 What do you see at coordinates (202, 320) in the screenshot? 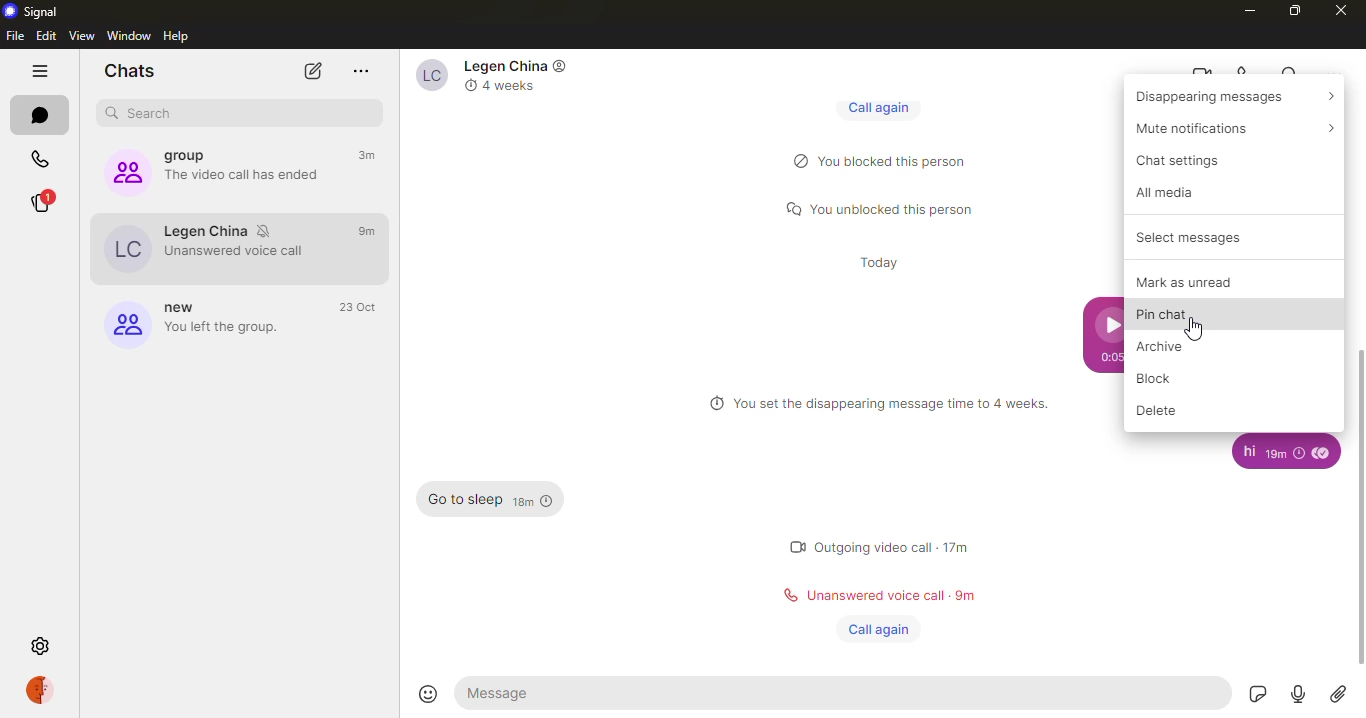
I see `group` at bounding box center [202, 320].